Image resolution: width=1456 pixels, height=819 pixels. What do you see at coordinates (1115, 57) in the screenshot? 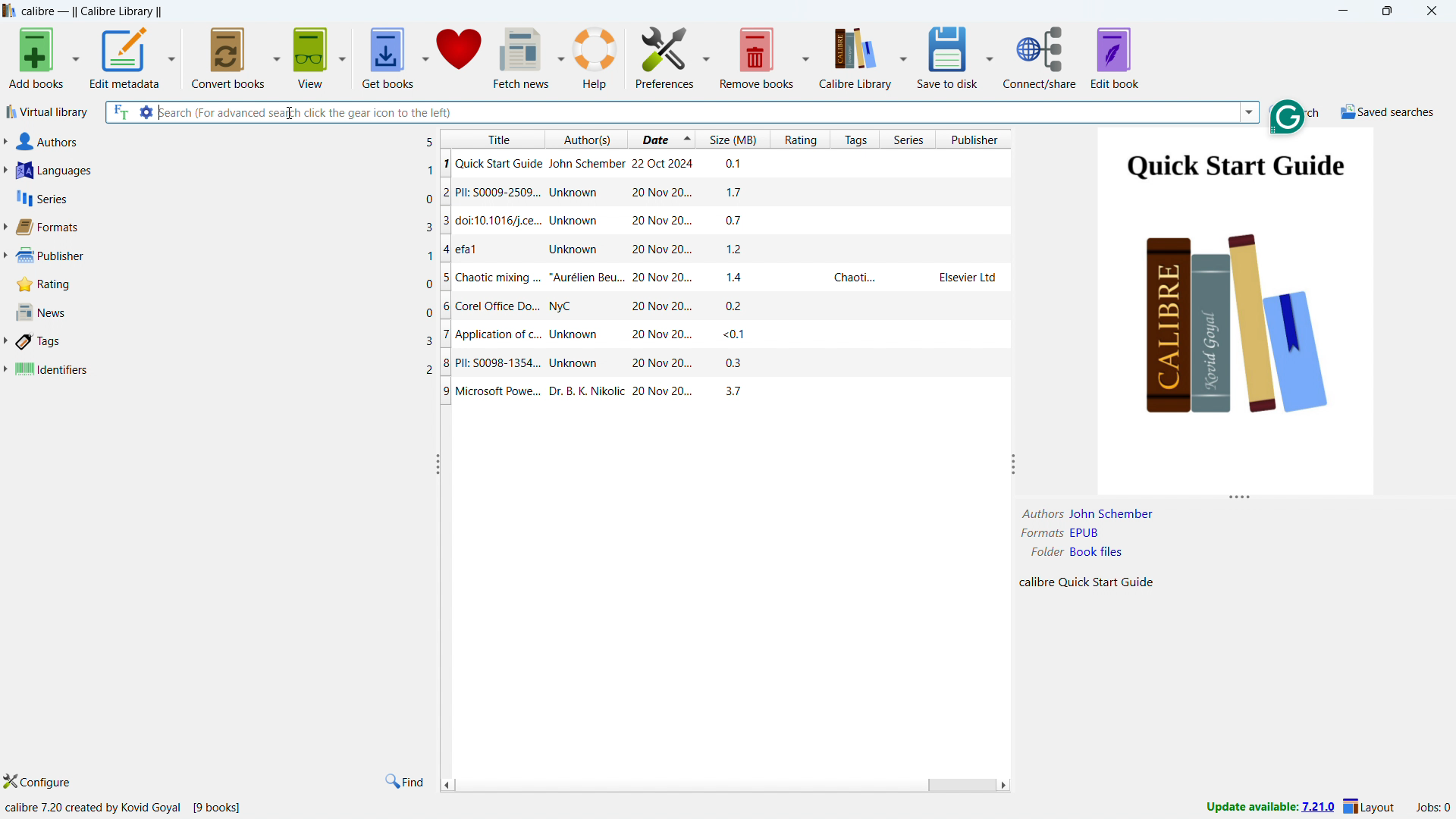
I see `edit book` at bounding box center [1115, 57].